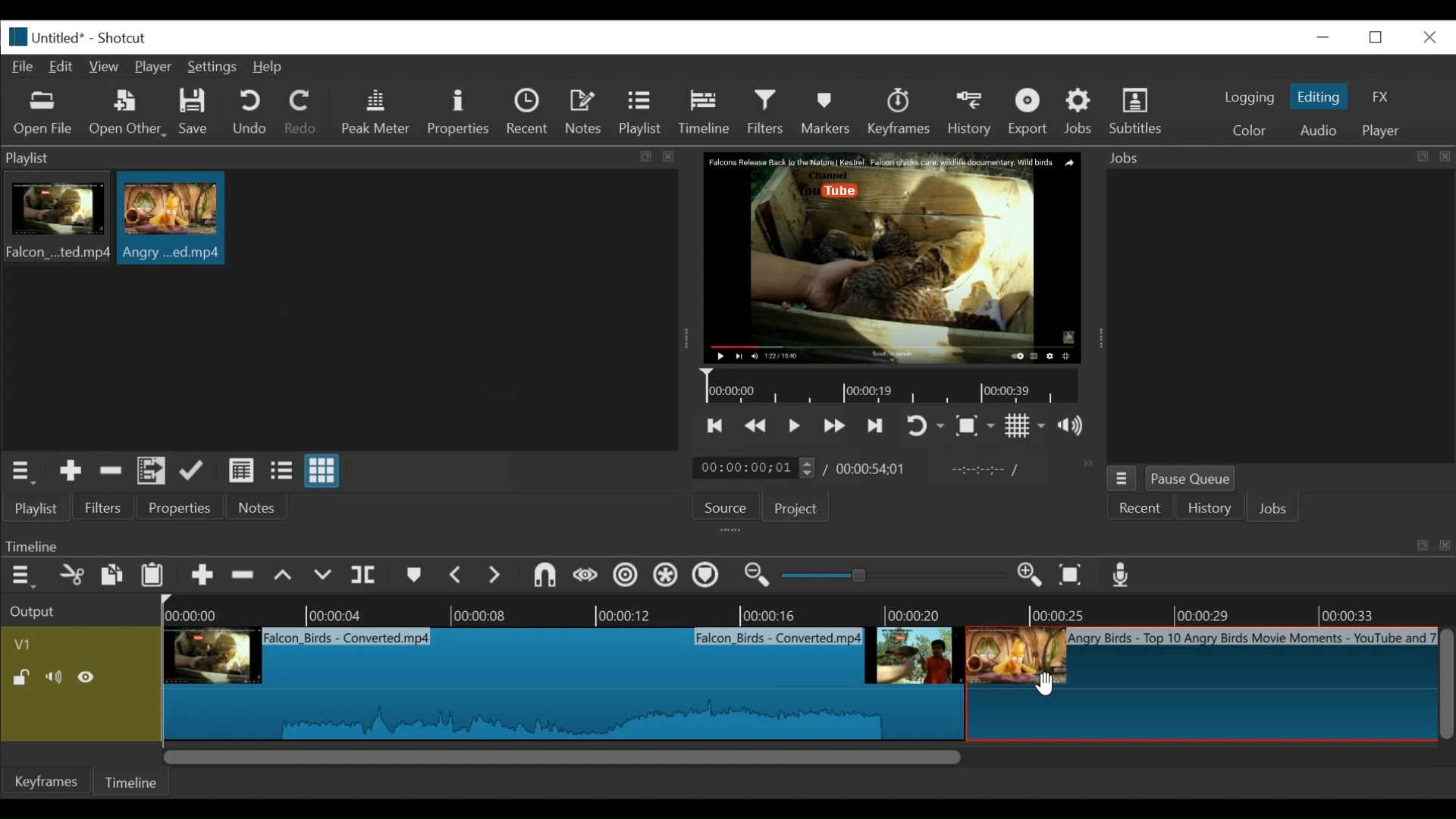 The height and width of the screenshot is (819, 1456). I want to click on Toggle display grid on player, so click(1025, 425).